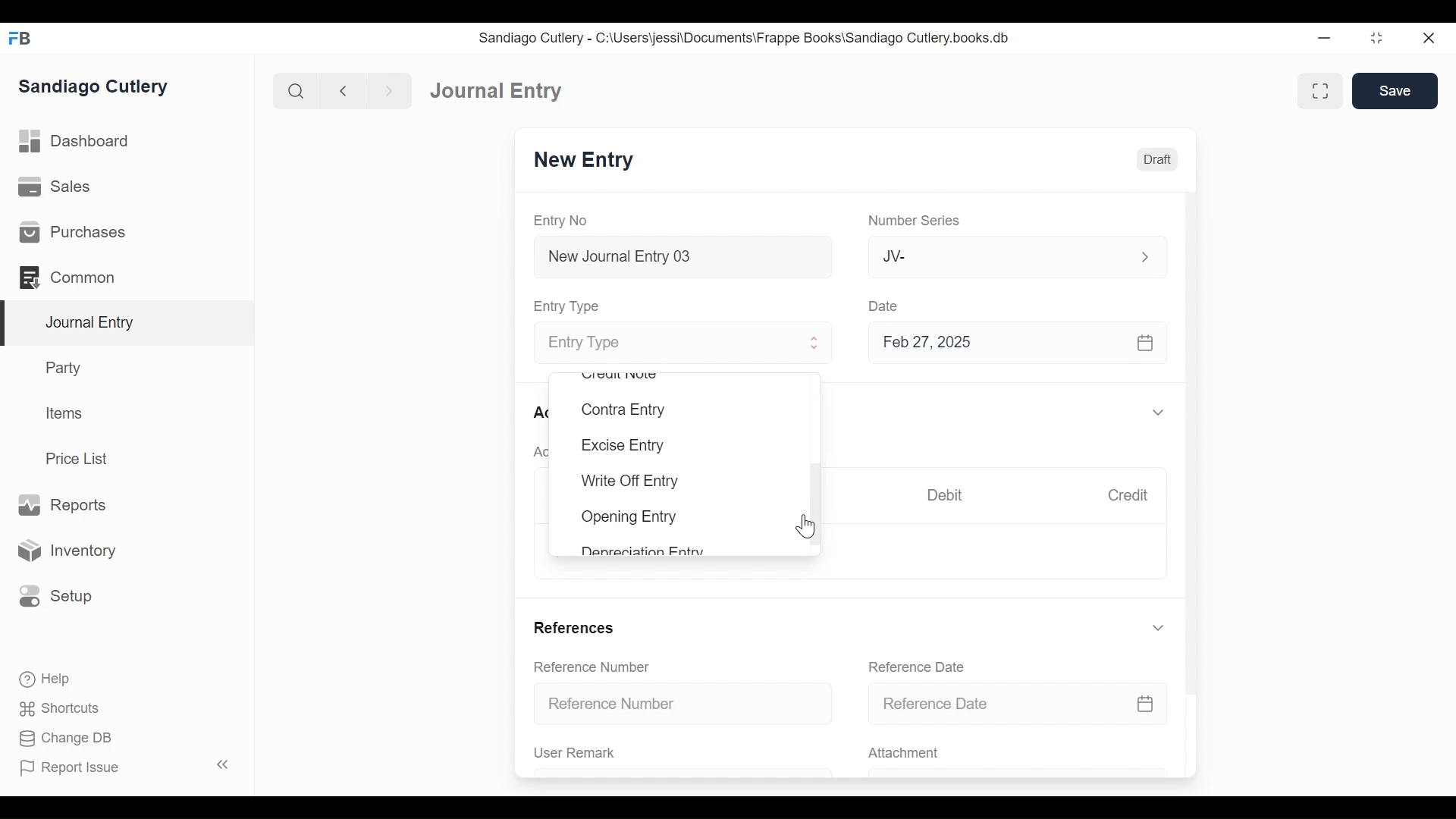 Image resolution: width=1456 pixels, height=819 pixels. I want to click on References, so click(576, 629).